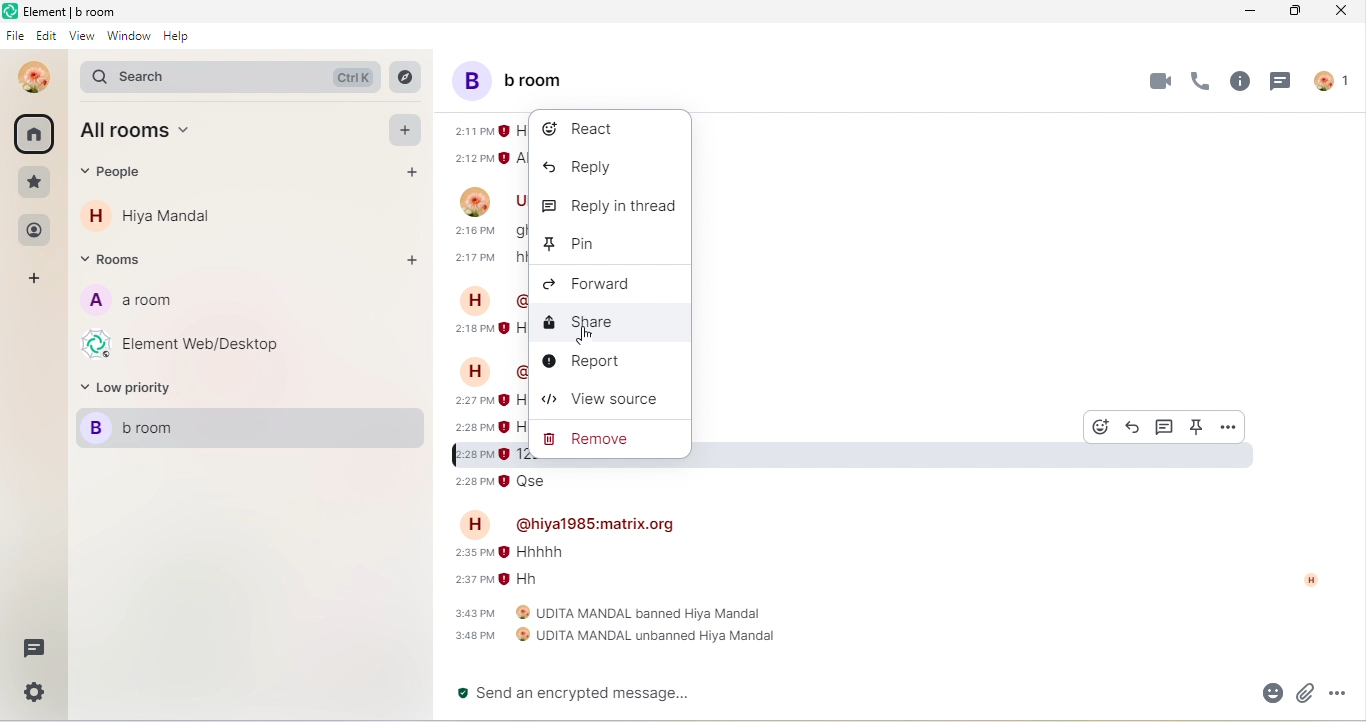  Describe the element at coordinates (35, 182) in the screenshot. I see `favourite` at that location.